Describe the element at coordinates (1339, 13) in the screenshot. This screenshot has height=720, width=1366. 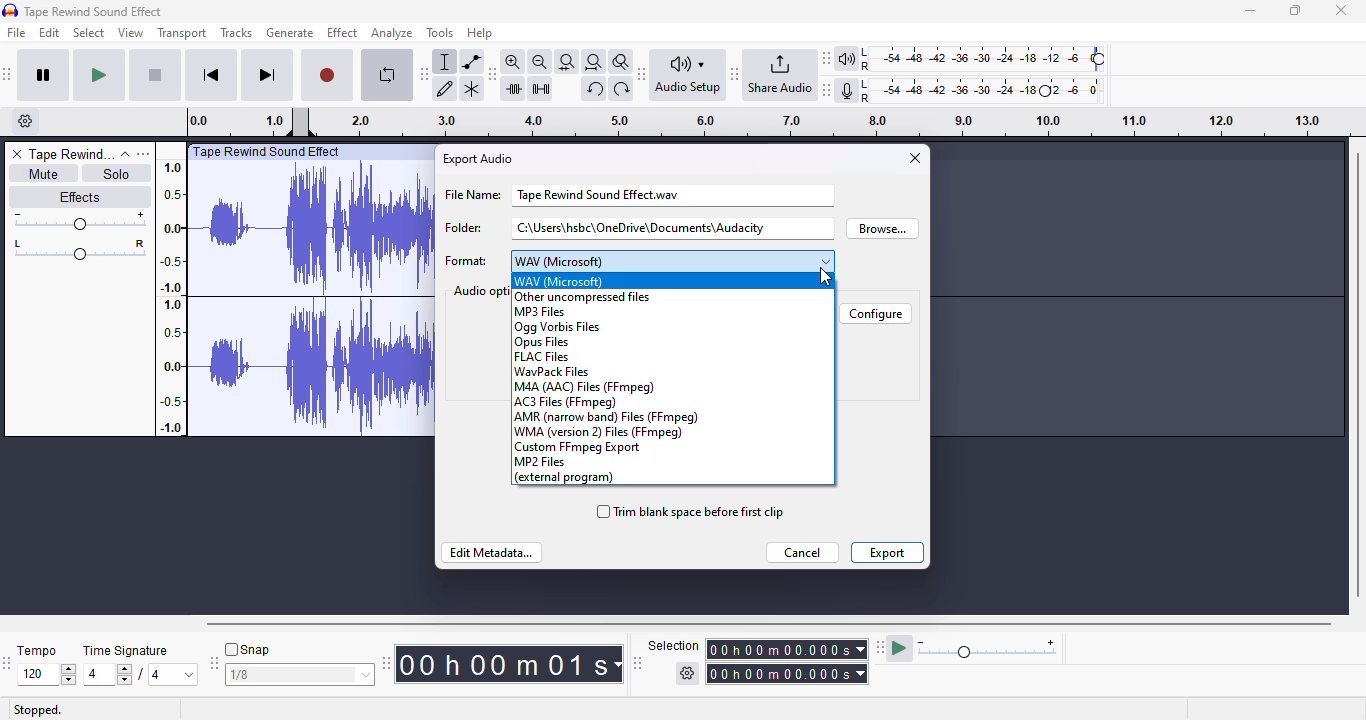
I see `Close` at that location.